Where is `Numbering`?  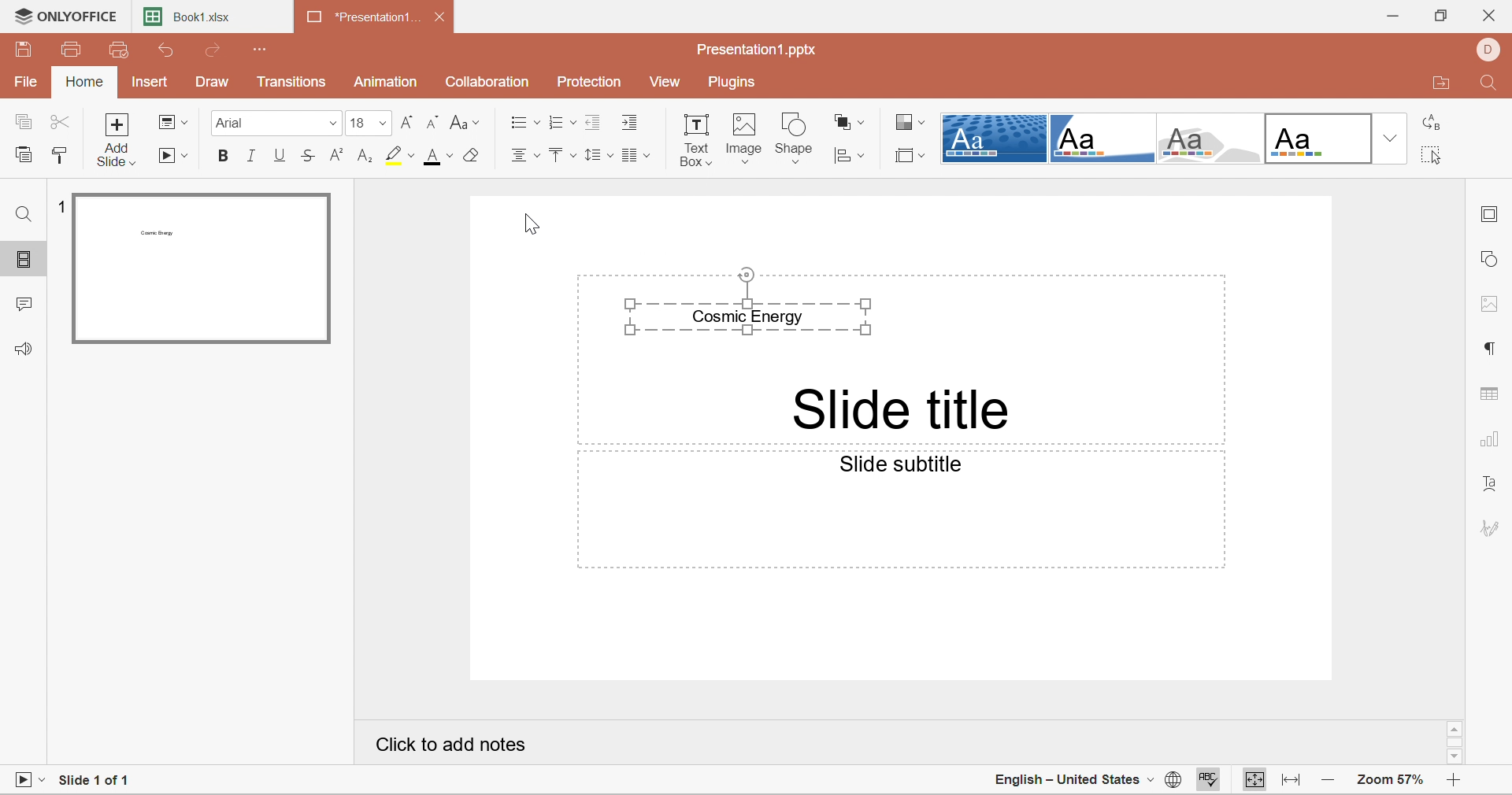
Numbering is located at coordinates (556, 124).